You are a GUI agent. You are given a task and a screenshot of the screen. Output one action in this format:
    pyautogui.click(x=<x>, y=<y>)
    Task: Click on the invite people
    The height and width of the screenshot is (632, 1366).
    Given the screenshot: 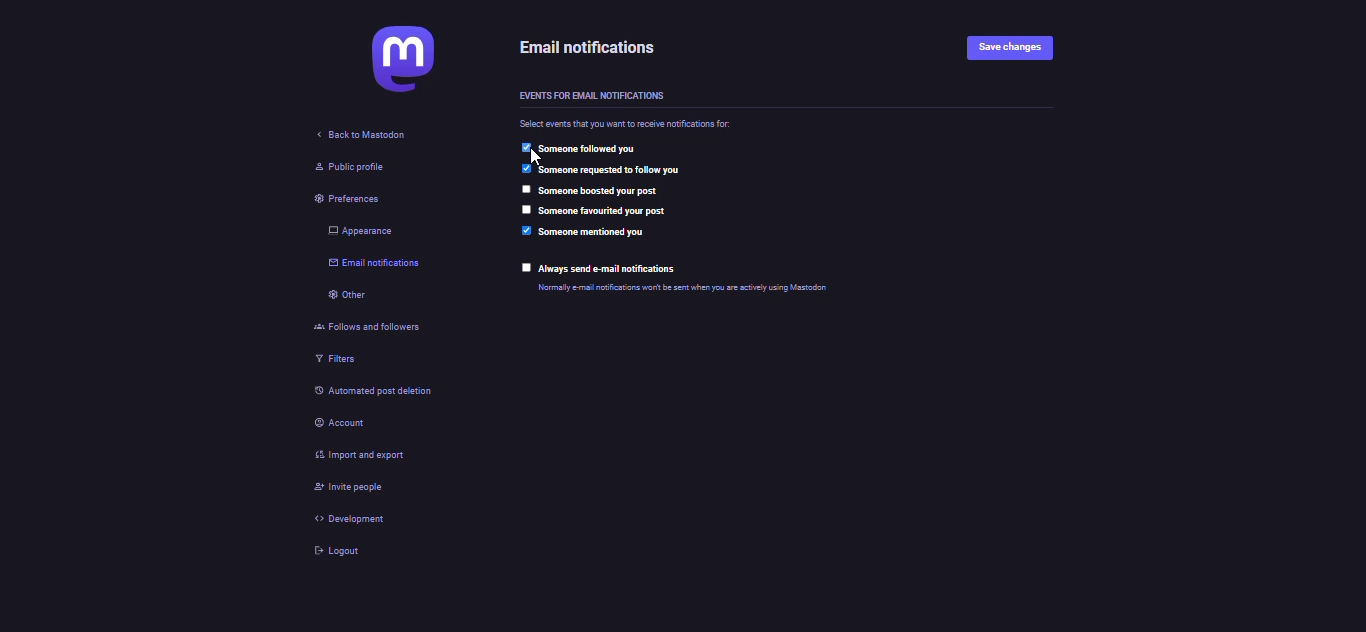 What is the action you would take?
    pyautogui.click(x=349, y=488)
    